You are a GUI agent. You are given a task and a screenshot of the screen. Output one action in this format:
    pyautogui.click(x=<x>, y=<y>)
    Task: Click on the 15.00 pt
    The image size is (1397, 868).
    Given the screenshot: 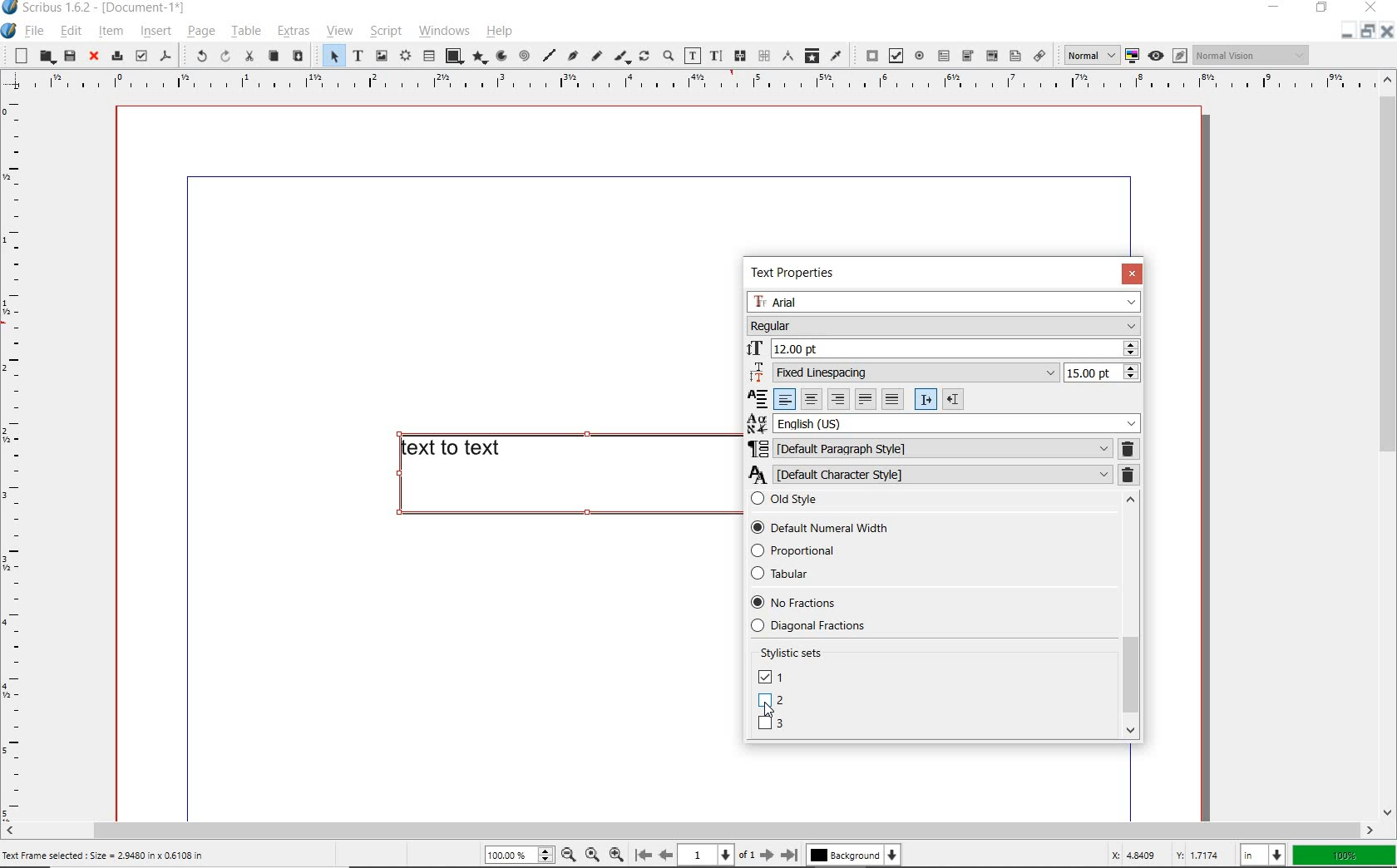 What is the action you would take?
    pyautogui.click(x=1100, y=373)
    